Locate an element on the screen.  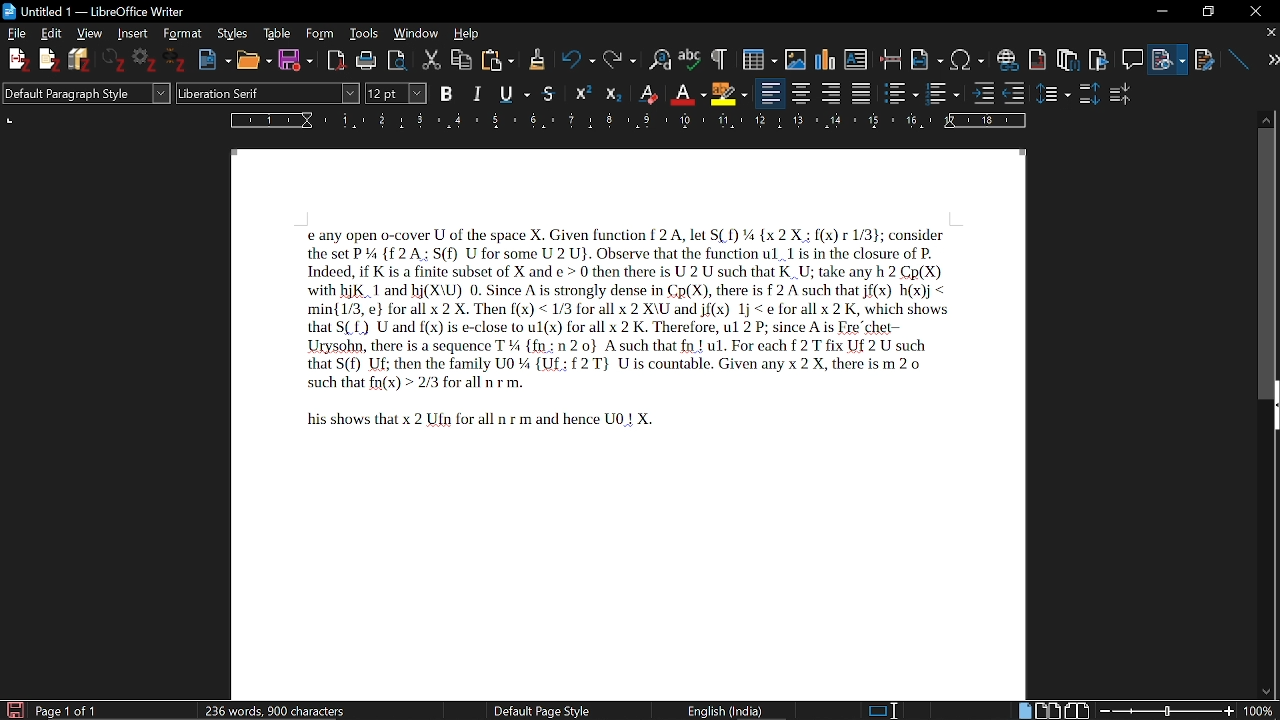
View is located at coordinates (87, 33).